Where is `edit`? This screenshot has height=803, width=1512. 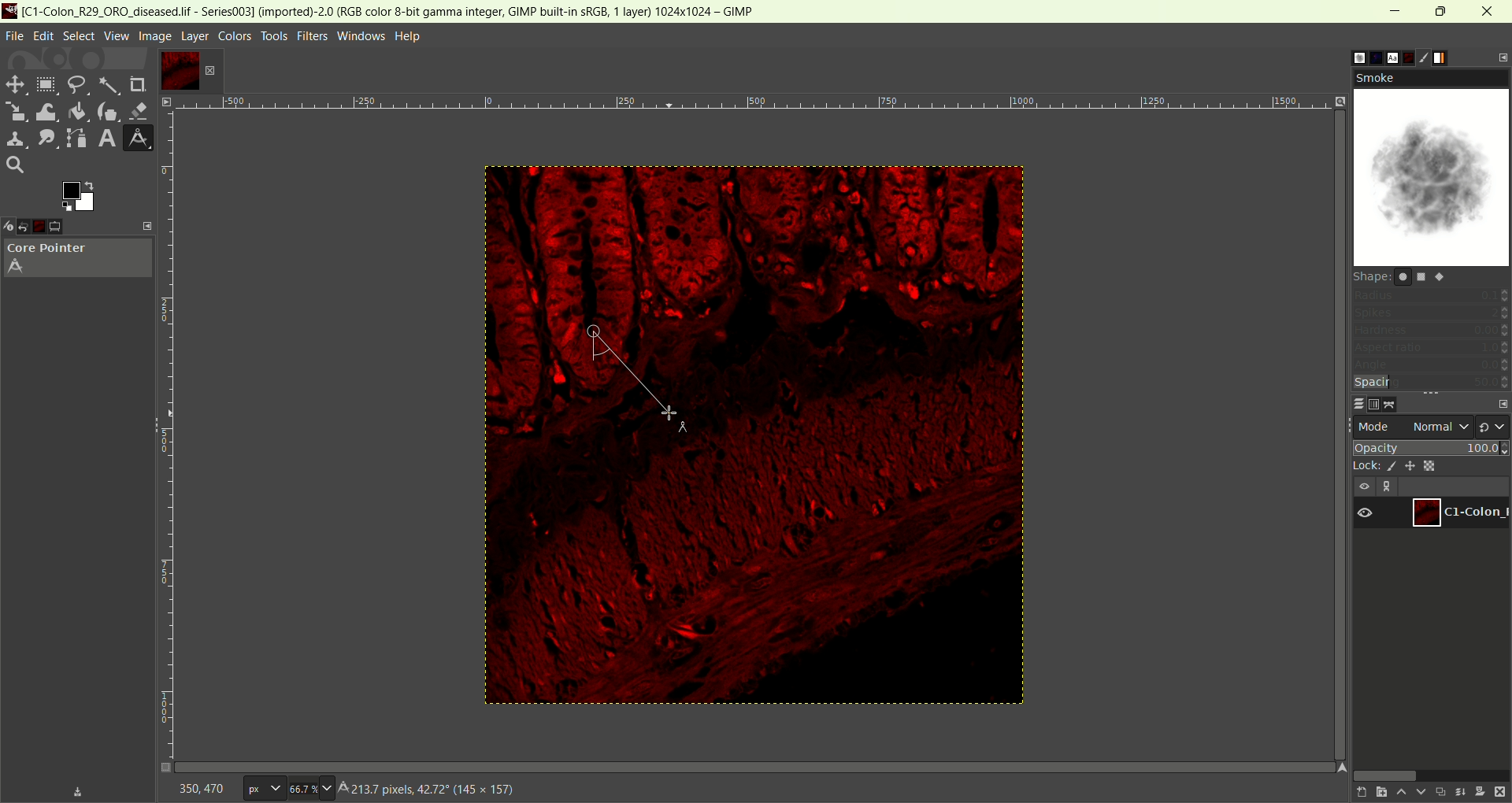
edit is located at coordinates (44, 36).